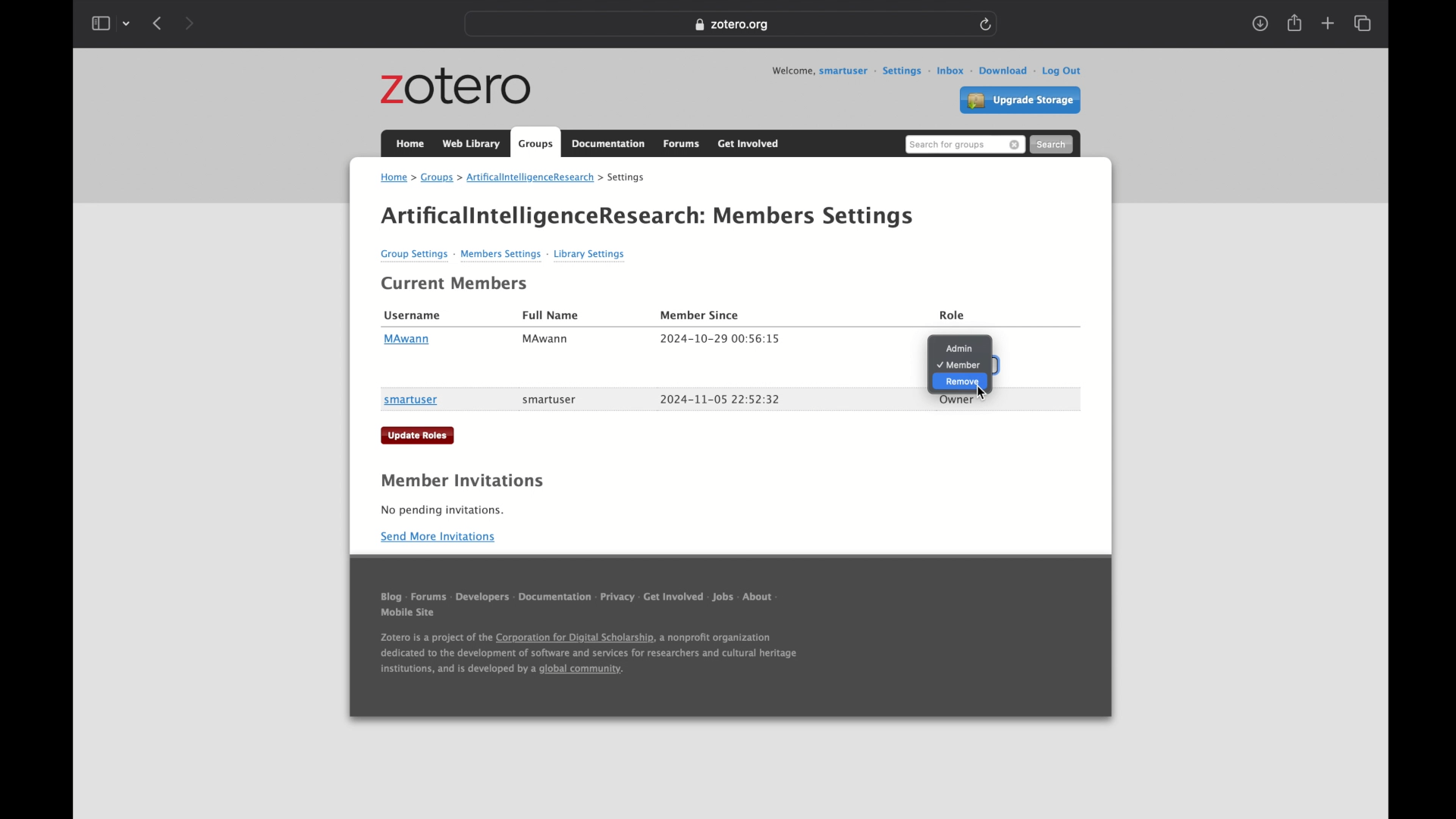  I want to click on welcome, smartuser, so click(818, 71).